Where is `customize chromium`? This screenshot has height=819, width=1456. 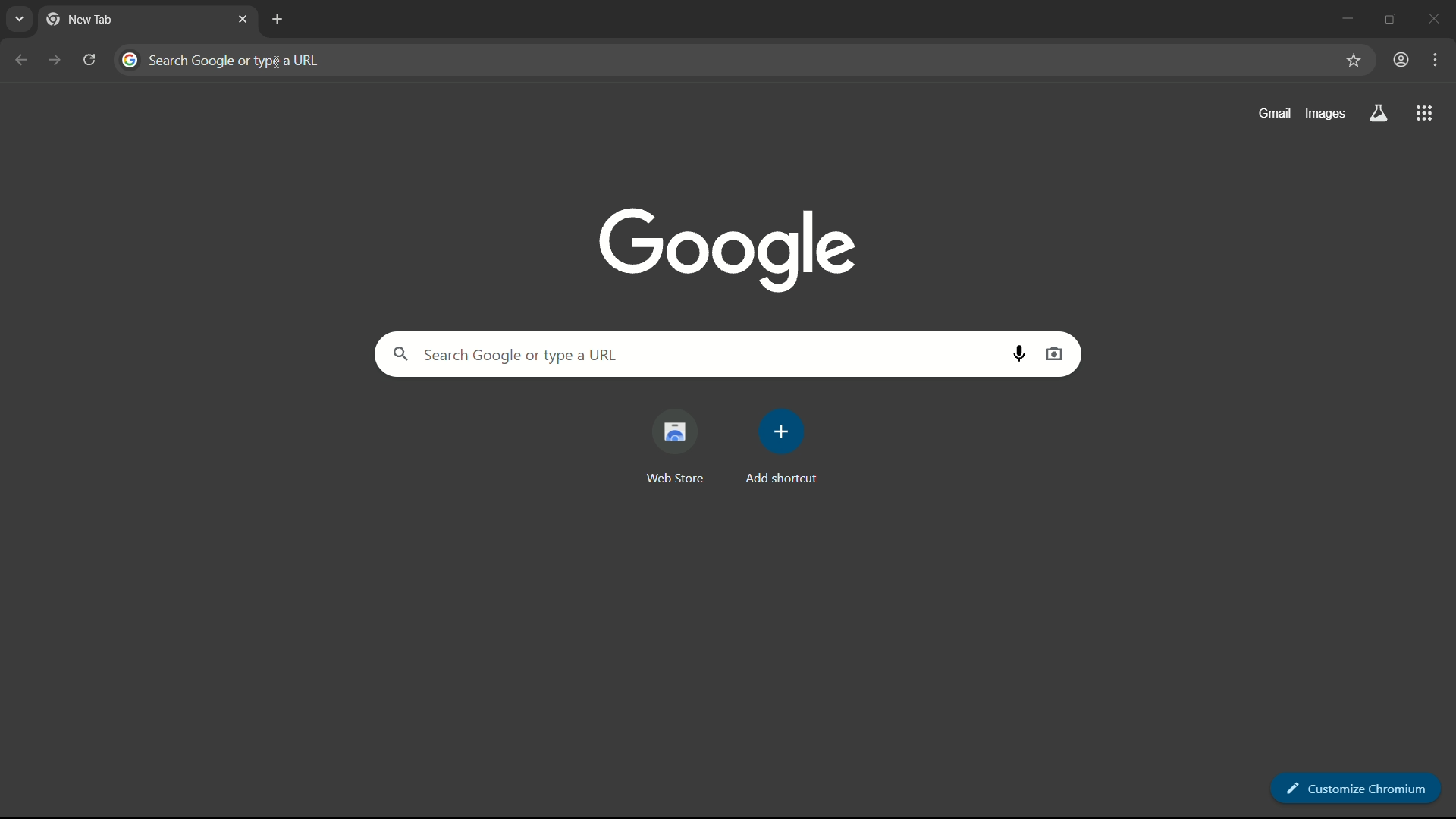 customize chromium is located at coordinates (1362, 787).